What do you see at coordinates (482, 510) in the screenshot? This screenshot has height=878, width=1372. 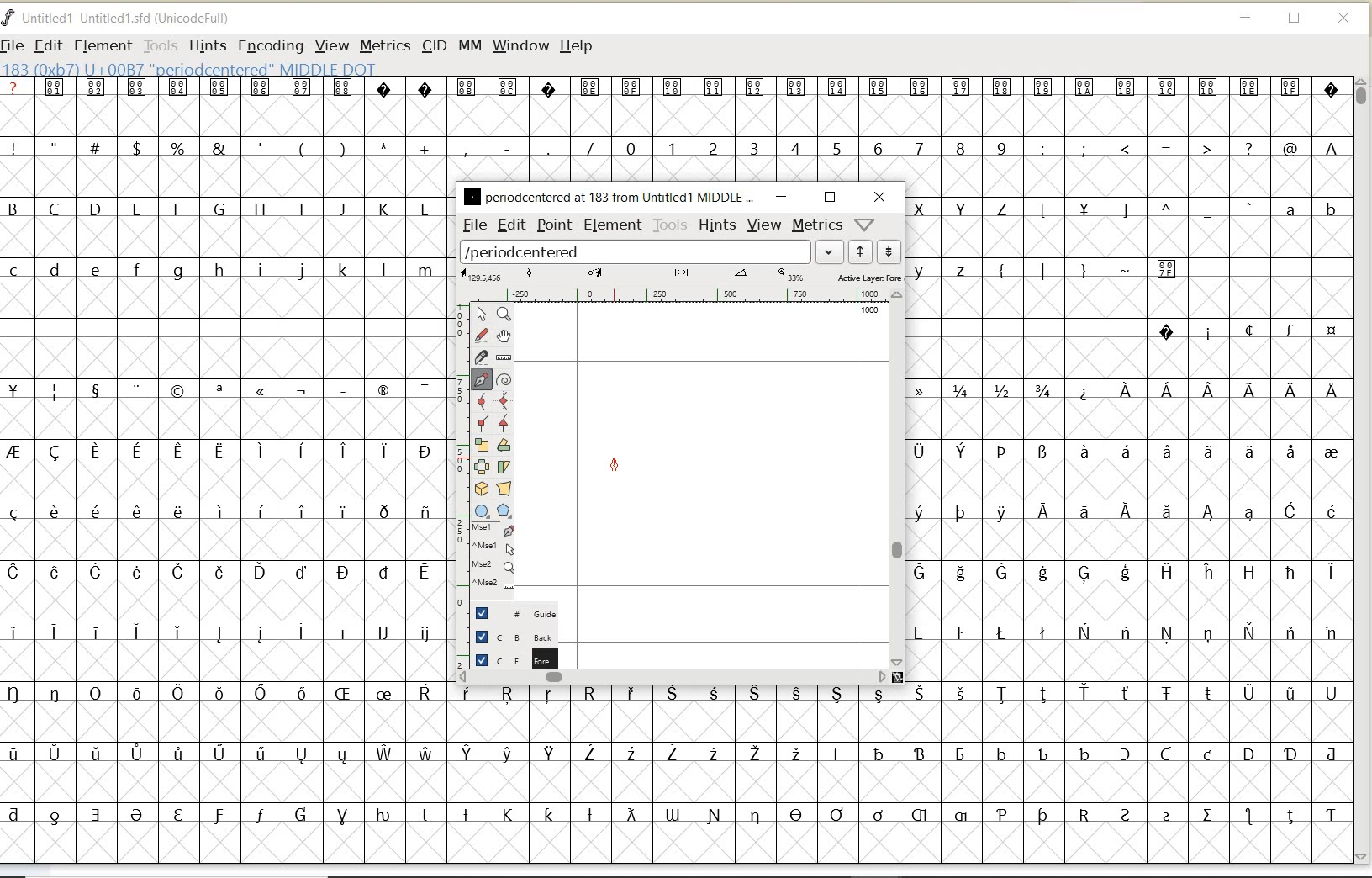 I see `rectangle or ellipse` at bounding box center [482, 510].